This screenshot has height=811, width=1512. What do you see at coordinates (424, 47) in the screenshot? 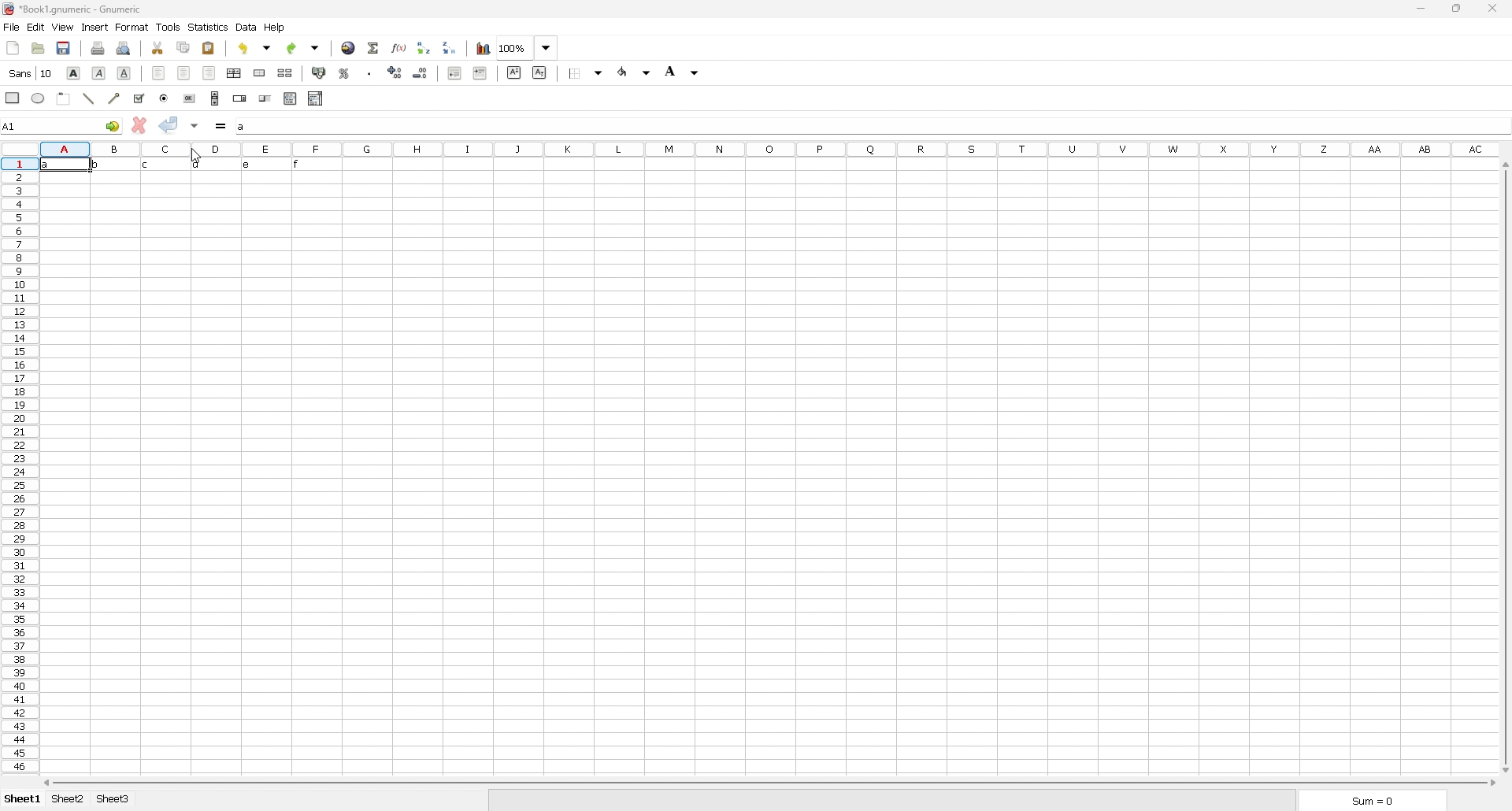
I see `sort ascending` at bounding box center [424, 47].